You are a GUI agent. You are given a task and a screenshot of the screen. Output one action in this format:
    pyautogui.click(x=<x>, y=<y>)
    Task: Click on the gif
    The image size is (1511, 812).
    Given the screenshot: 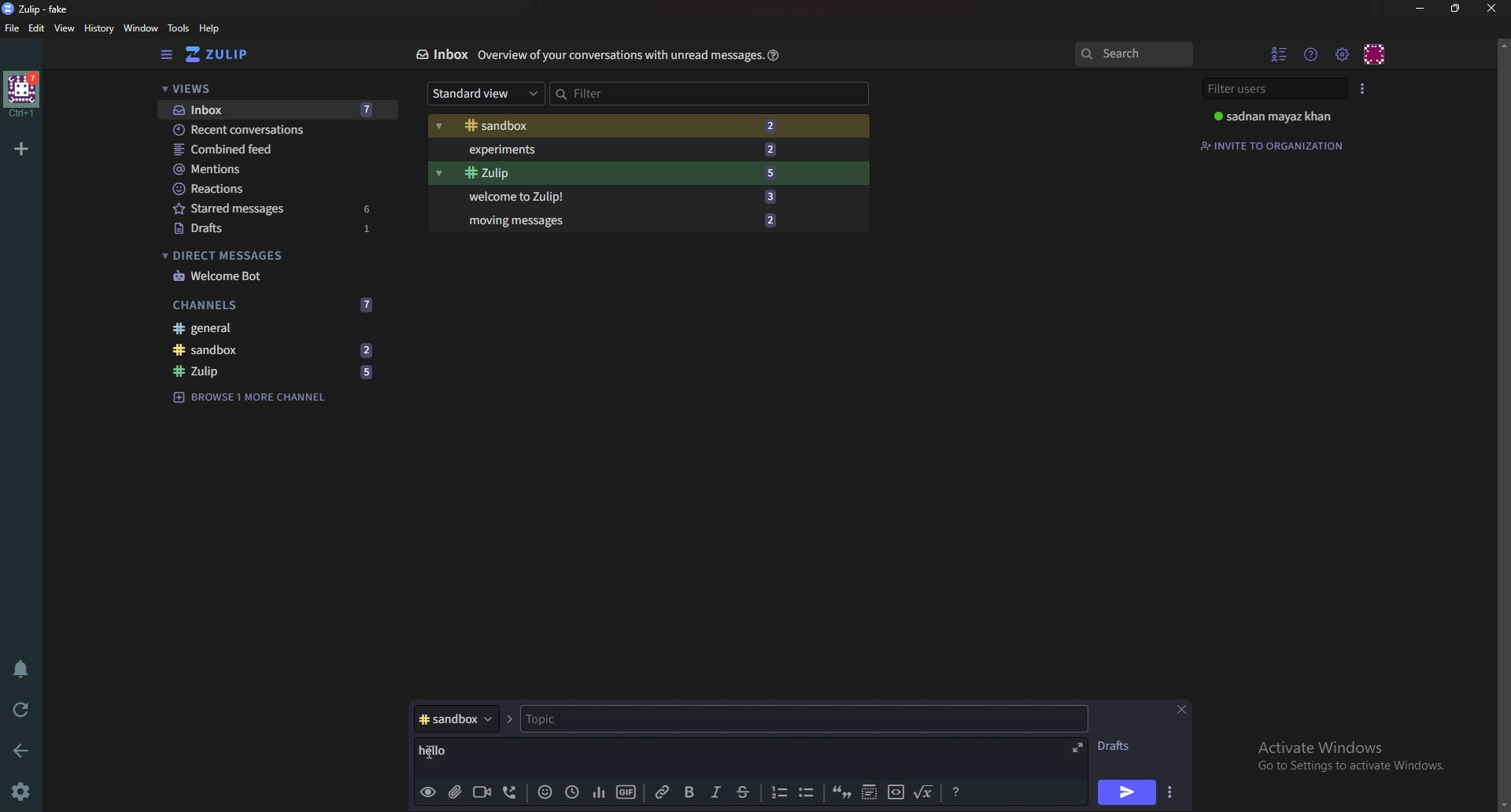 What is the action you would take?
    pyautogui.click(x=626, y=794)
    